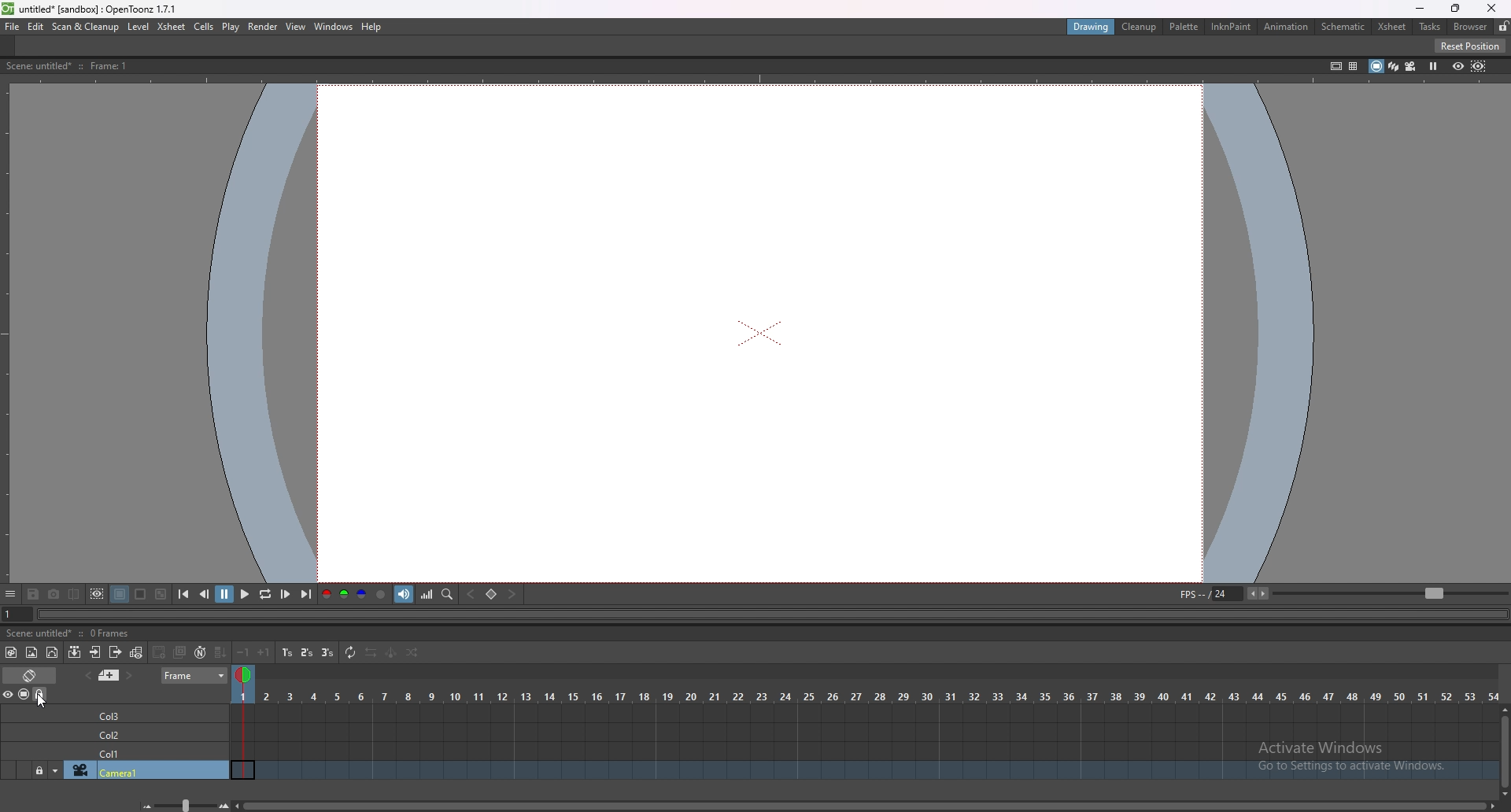 The image size is (1511, 812). I want to click on next key, so click(513, 594).